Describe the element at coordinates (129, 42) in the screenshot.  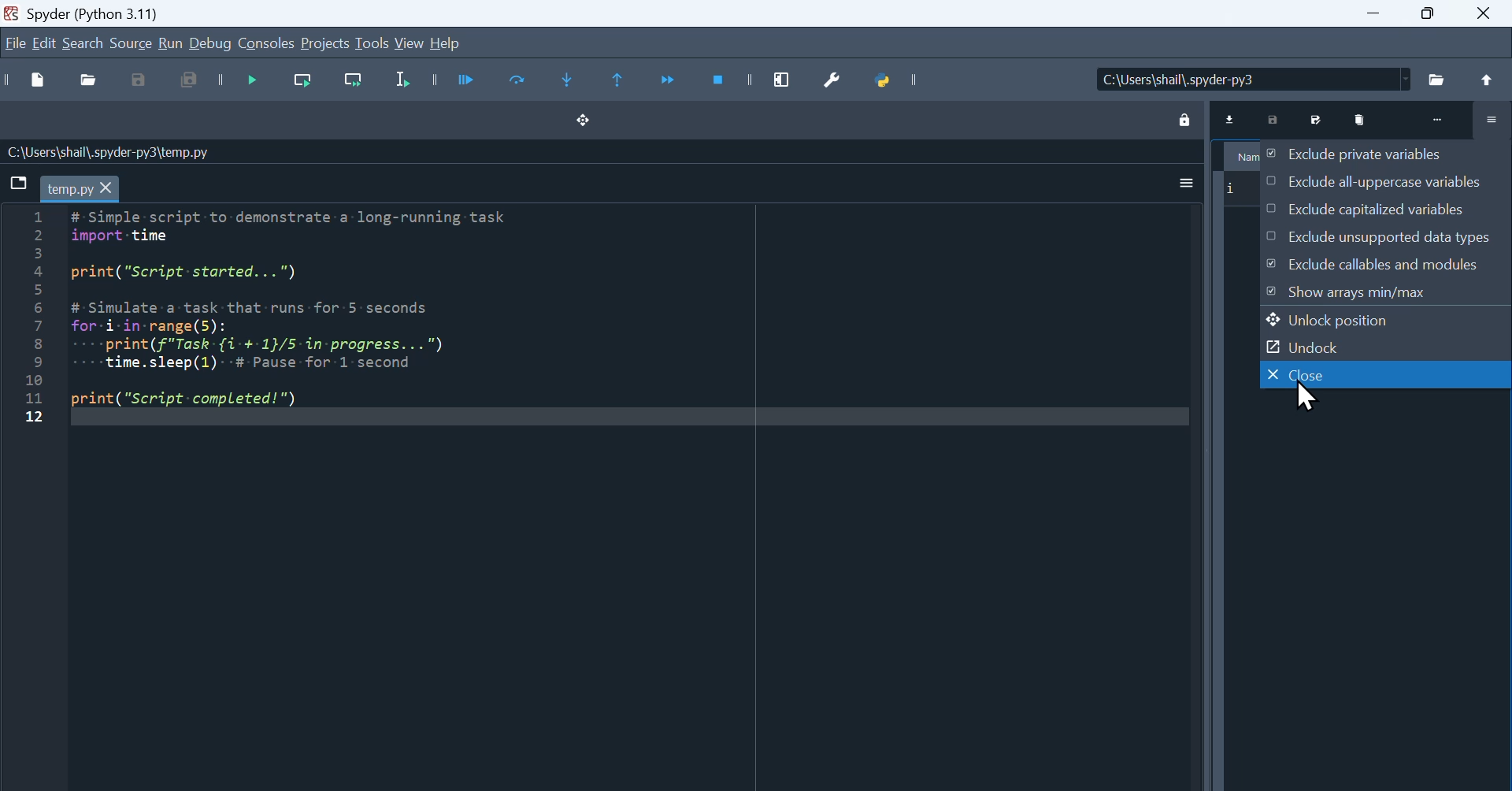
I see `Source` at that location.